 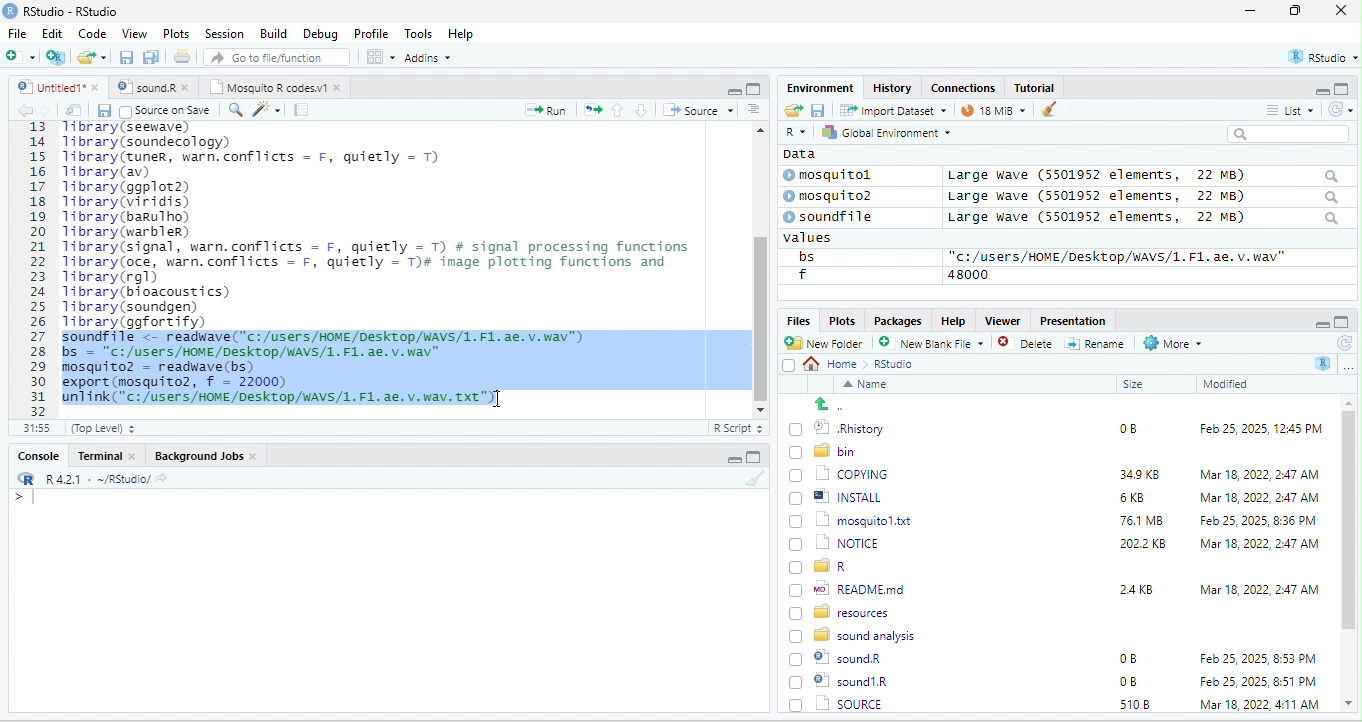 I want to click on folder, so click(x=94, y=57).